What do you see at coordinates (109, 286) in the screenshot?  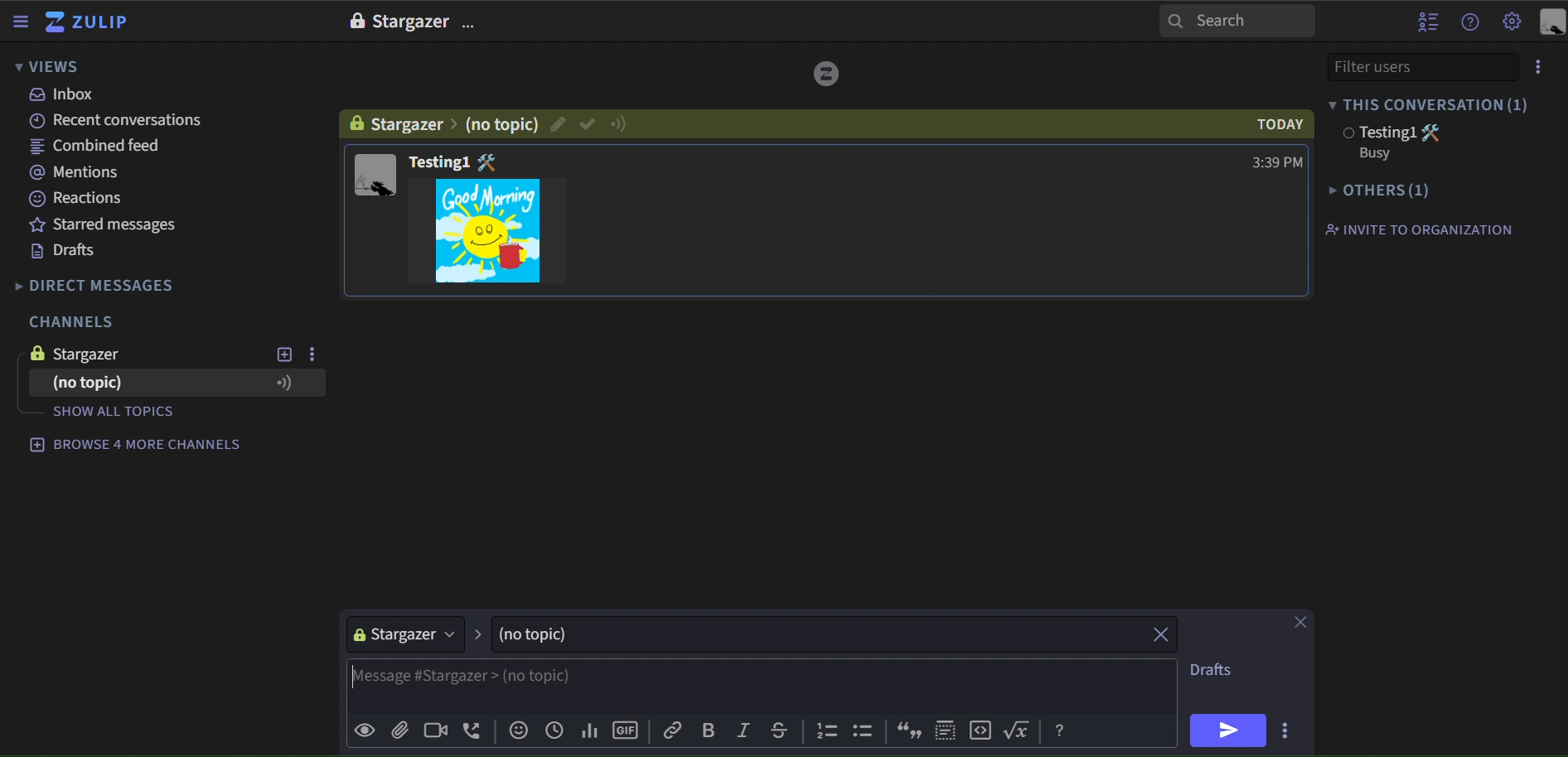 I see `direct messages` at bounding box center [109, 286].